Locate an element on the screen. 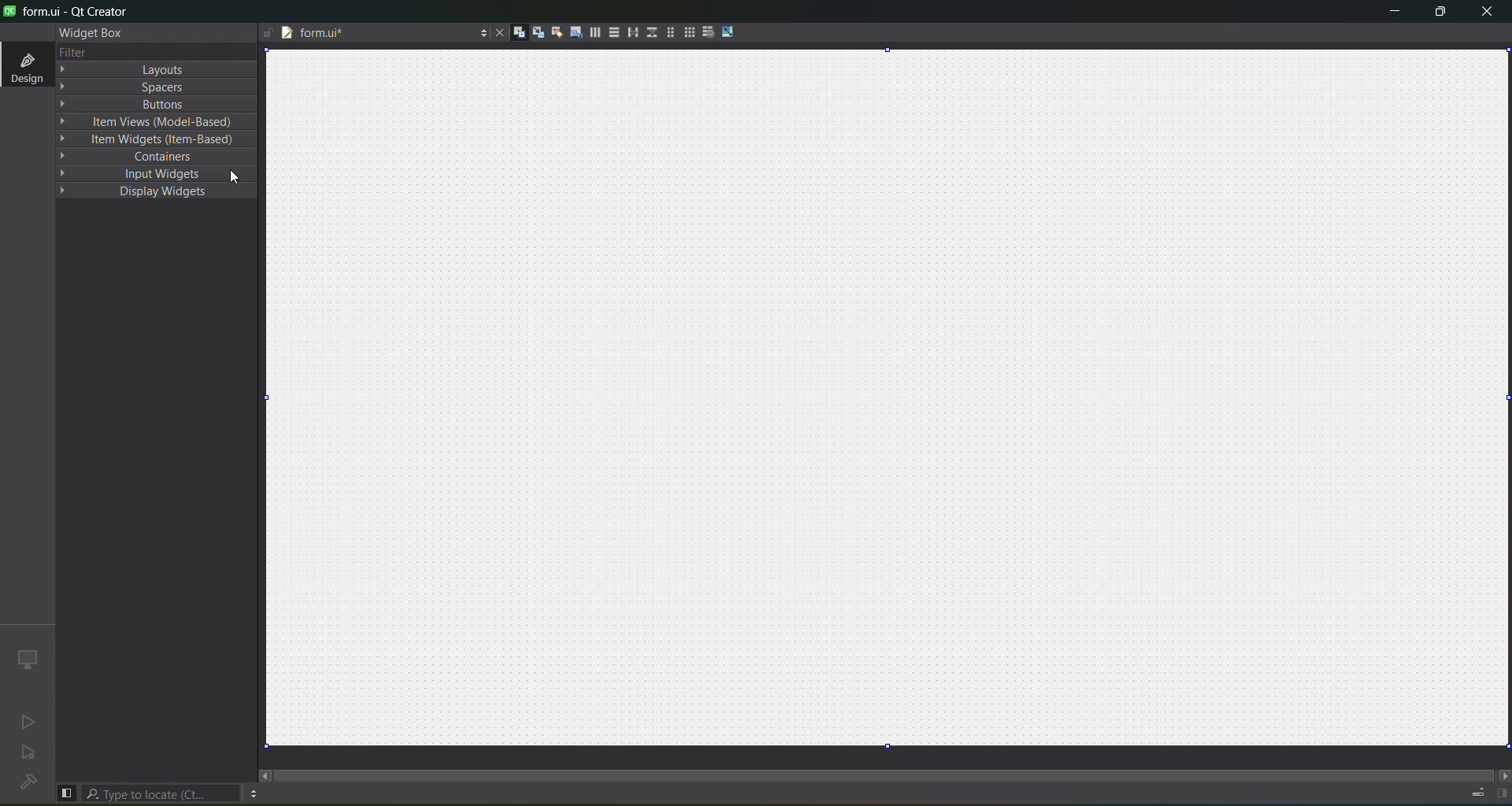  buddies is located at coordinates (551, 33).